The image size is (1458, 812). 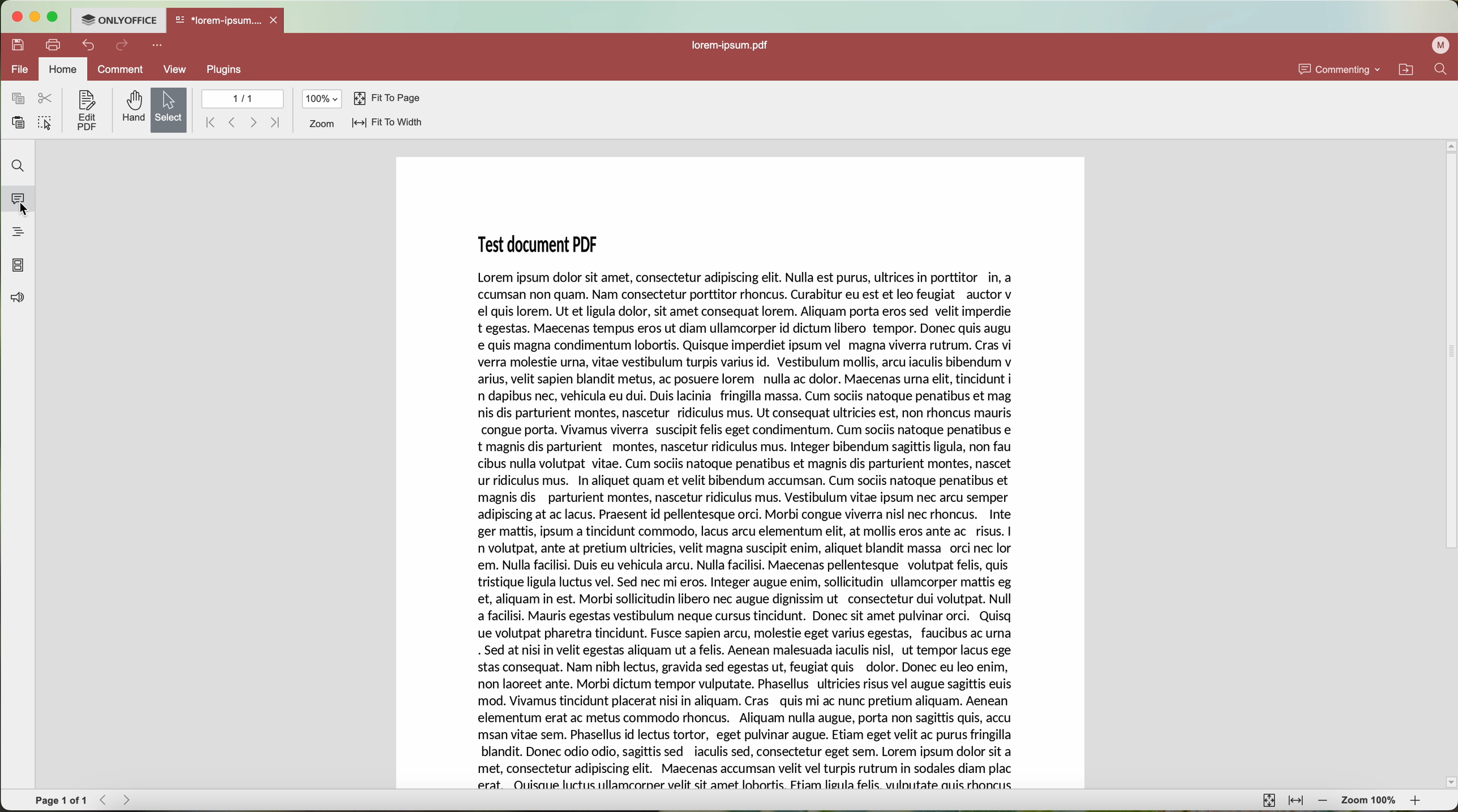 I want to click on find, so click(x=20, y=166).